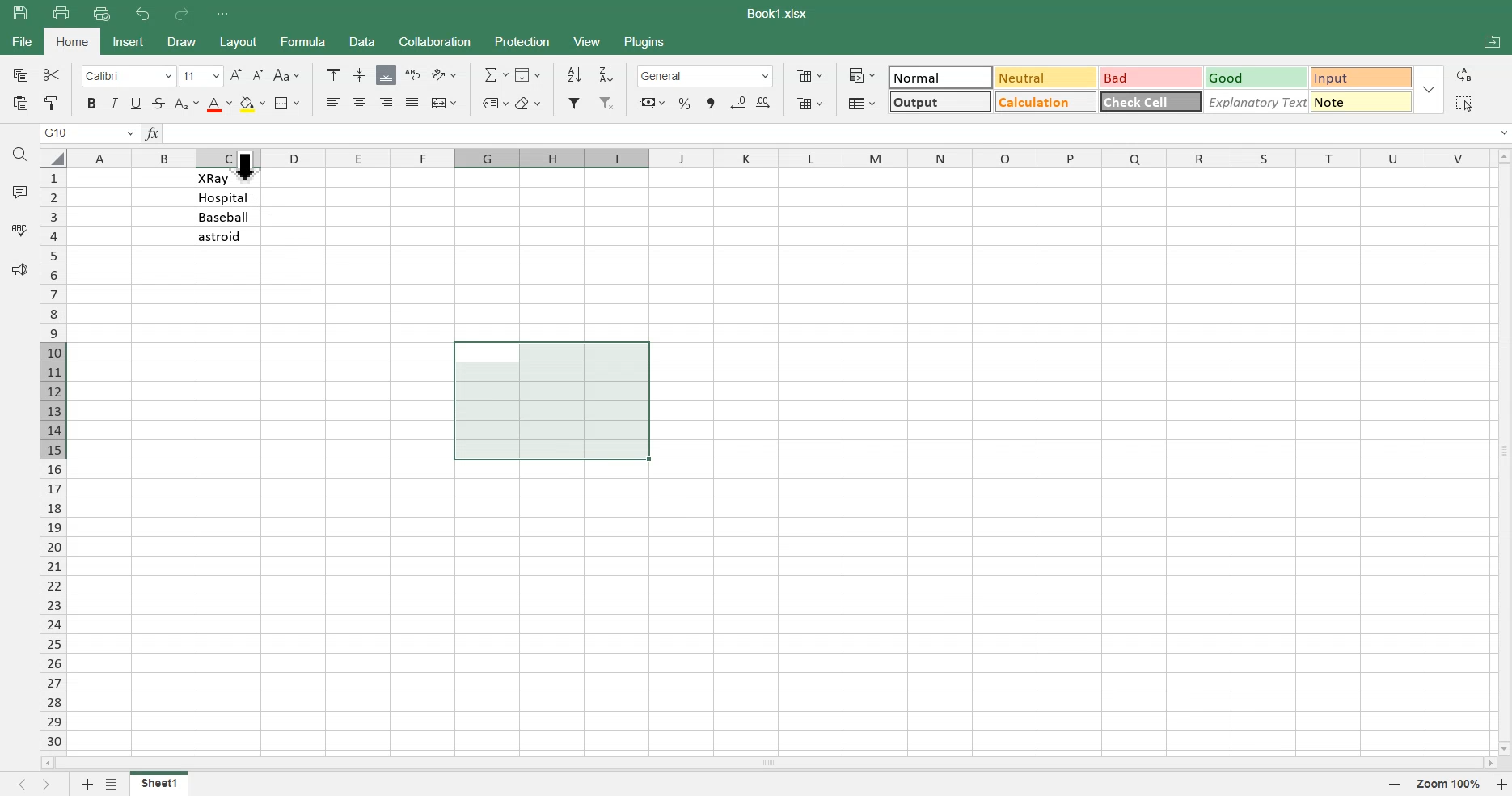  I want to click on Undo, so click(144, 15).